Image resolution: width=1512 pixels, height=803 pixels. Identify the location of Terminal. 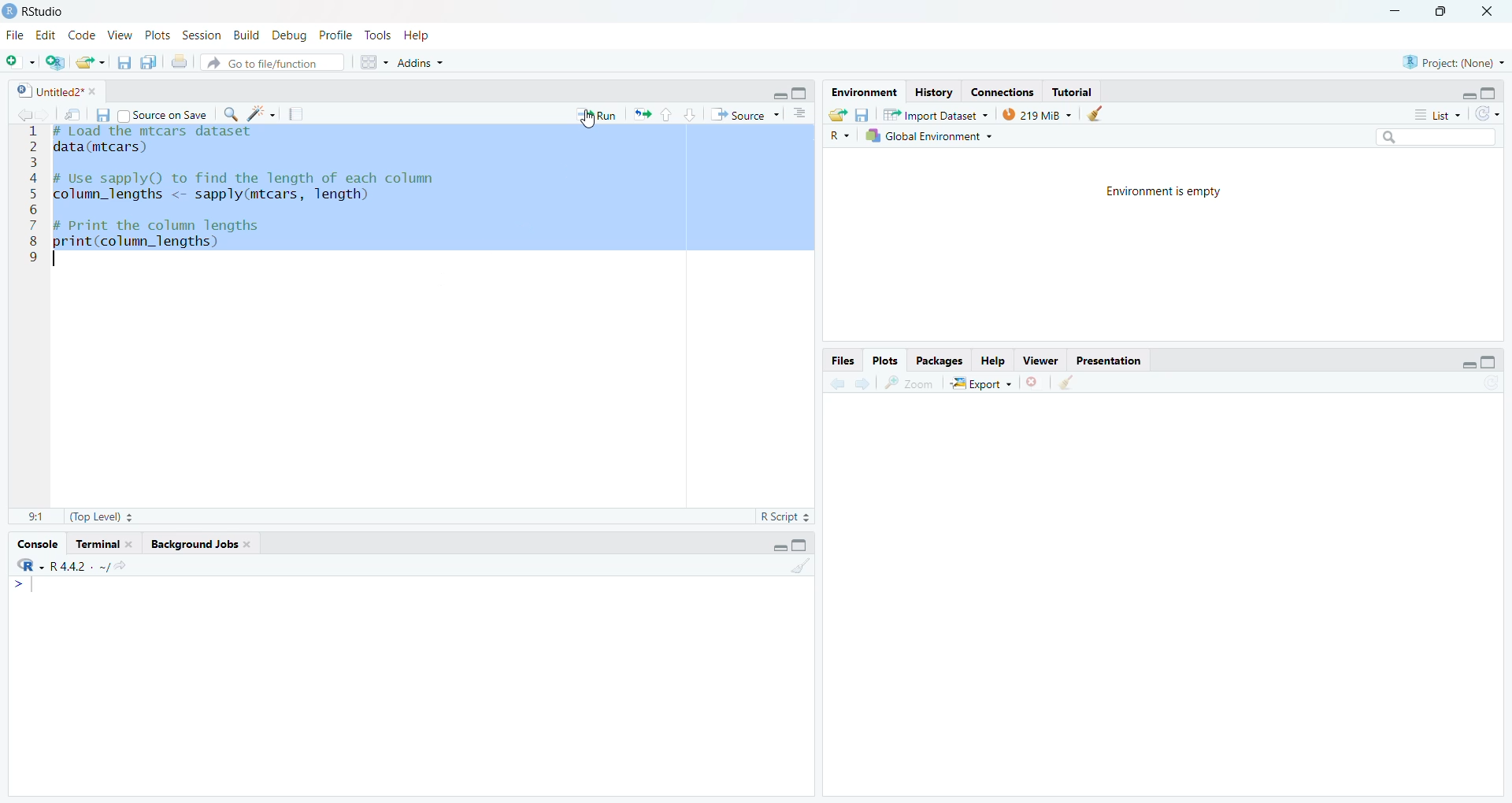
(104, 544).